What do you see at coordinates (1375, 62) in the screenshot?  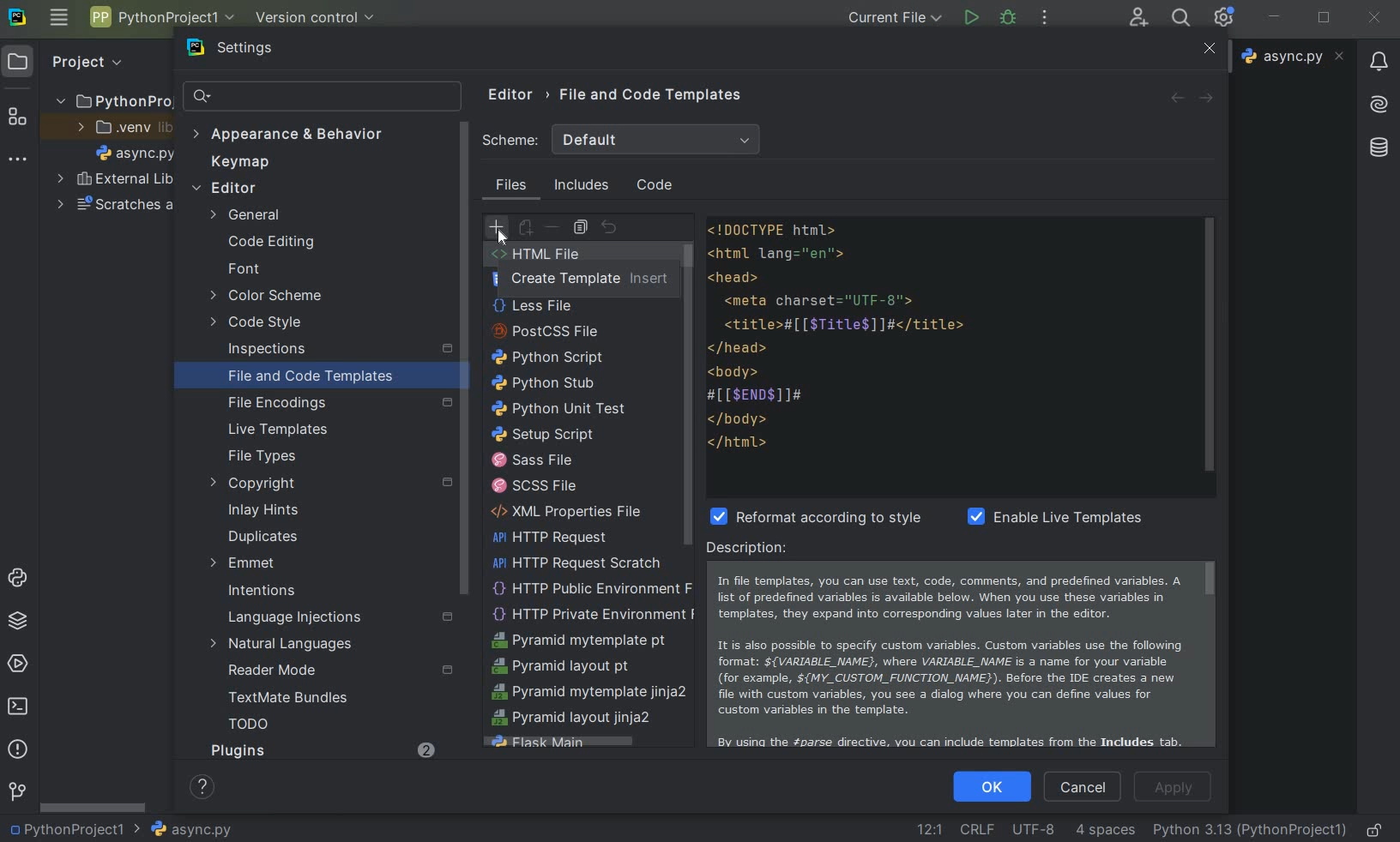 I see `notifications` at bounding box center [1375, 62].